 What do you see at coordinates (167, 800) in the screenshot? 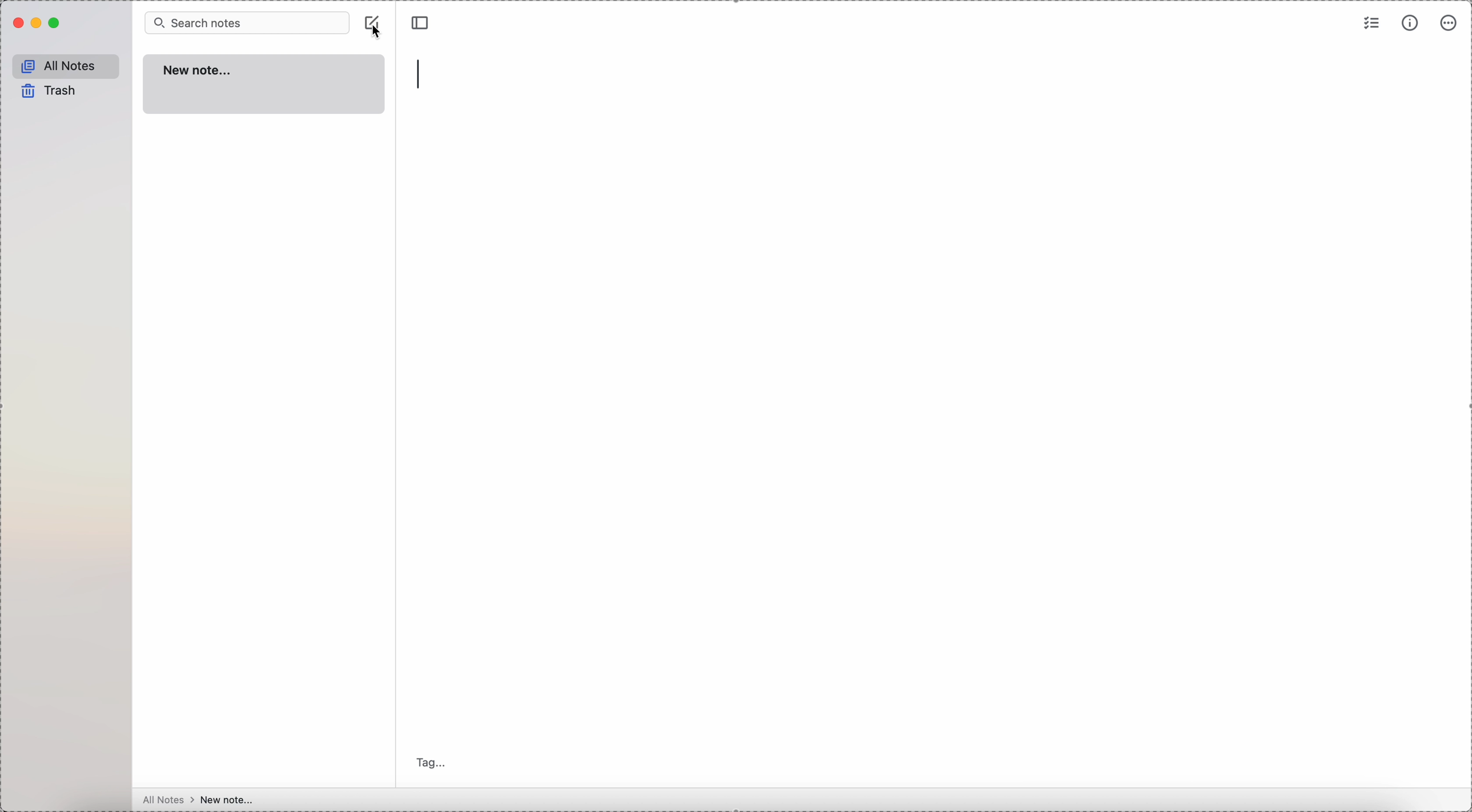
I see `all notes` at bounding box center [167, 800].